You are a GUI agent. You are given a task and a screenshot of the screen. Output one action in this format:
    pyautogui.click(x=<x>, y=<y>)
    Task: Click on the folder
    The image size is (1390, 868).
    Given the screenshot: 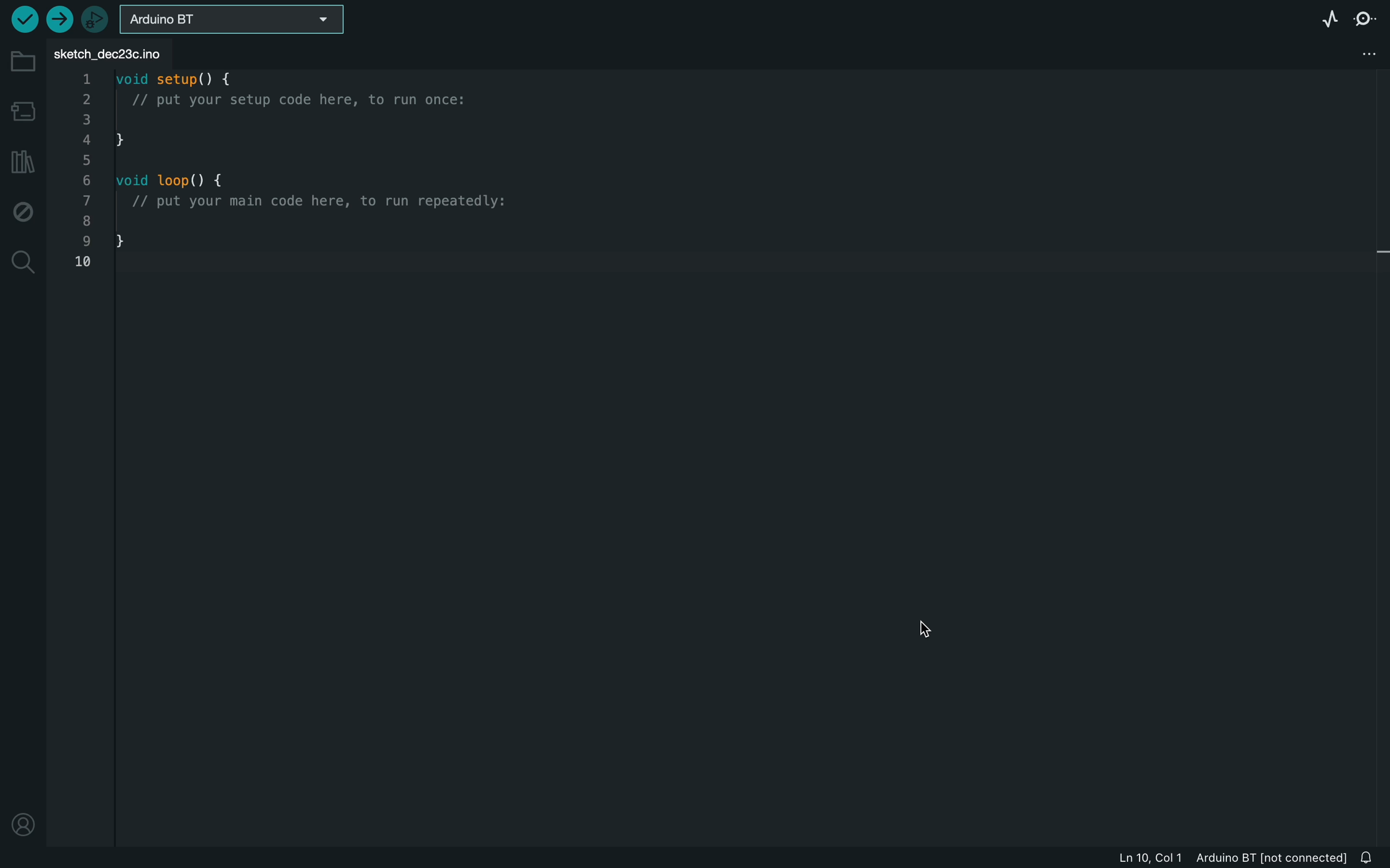 What is the action you would take?
    pyautogui.click(x=20, y=65)
    